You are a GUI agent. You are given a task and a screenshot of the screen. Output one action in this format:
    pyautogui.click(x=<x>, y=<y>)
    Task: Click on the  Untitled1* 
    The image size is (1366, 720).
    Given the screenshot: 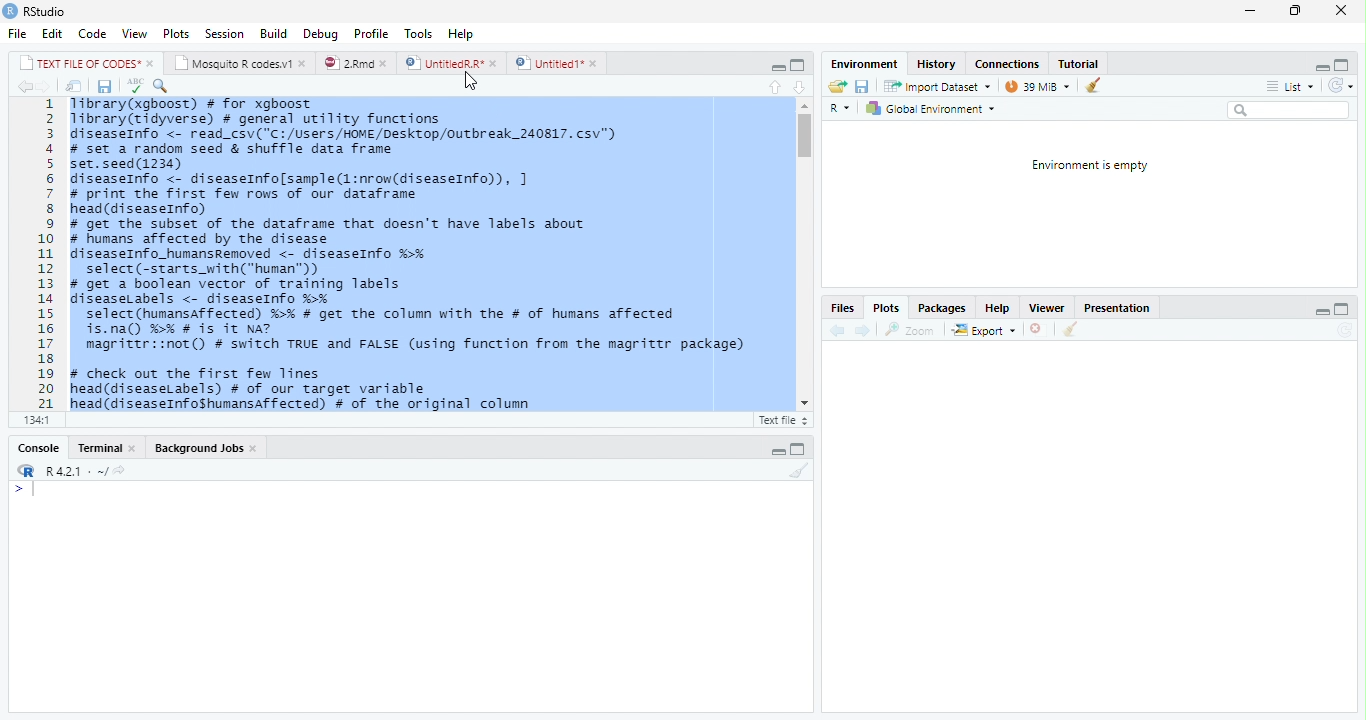 What is the action you would take?
    pyautogui.click(x=557, y=62)
    